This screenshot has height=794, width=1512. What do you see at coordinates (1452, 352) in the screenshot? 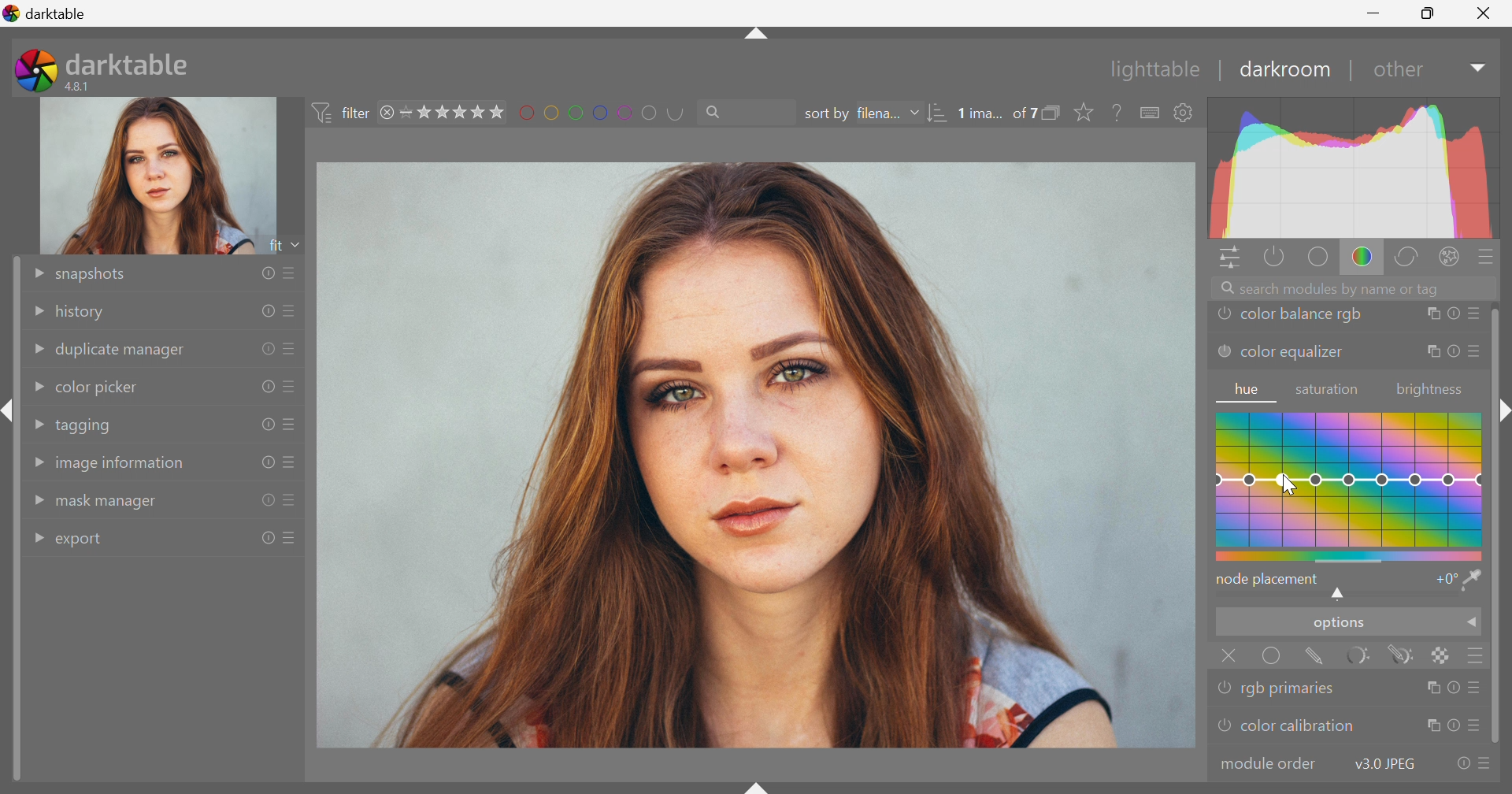
I see `reset` at bounding box center [1452, 352].